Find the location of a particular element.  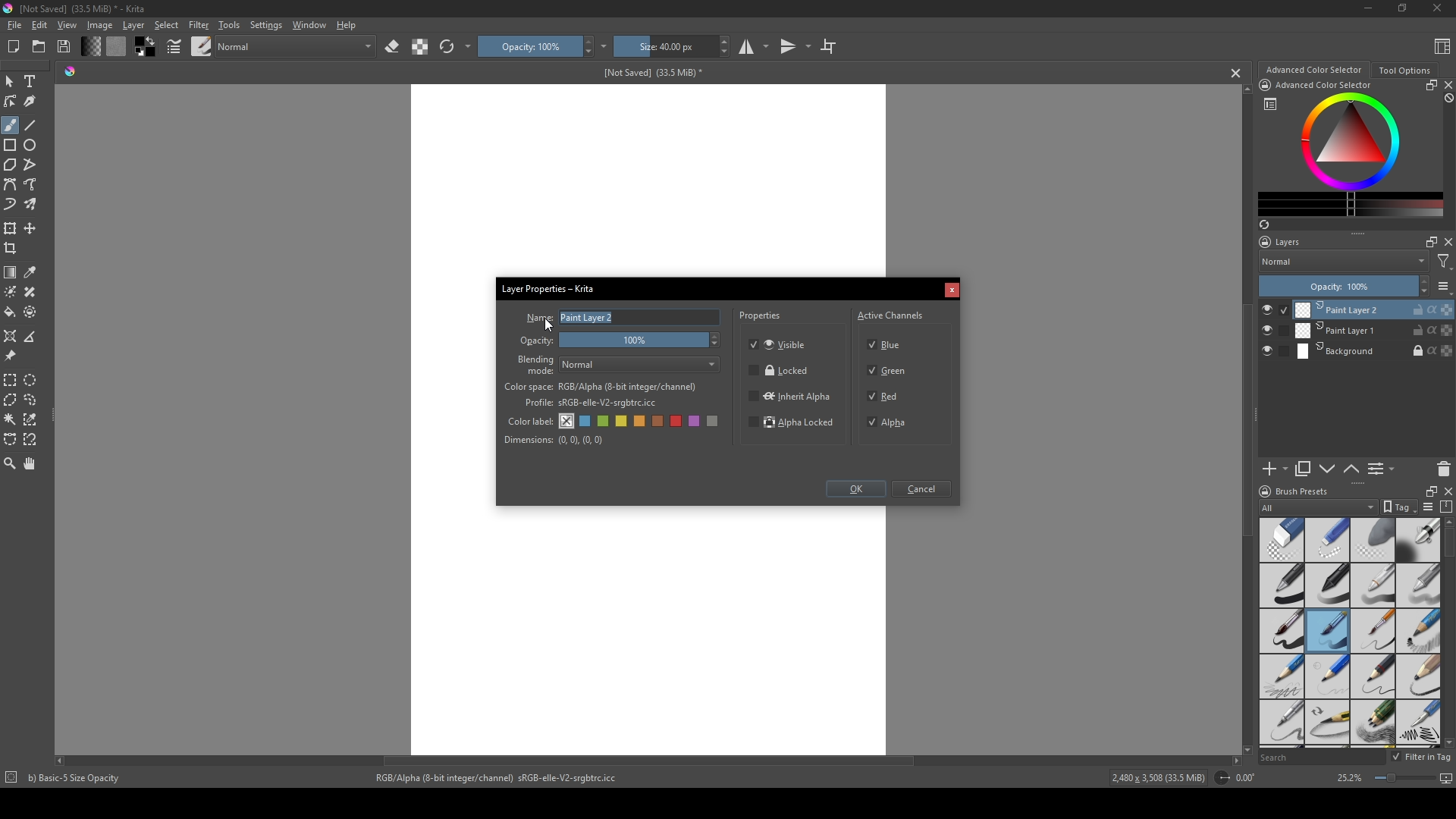

close is located at coordinates (1447, 242).